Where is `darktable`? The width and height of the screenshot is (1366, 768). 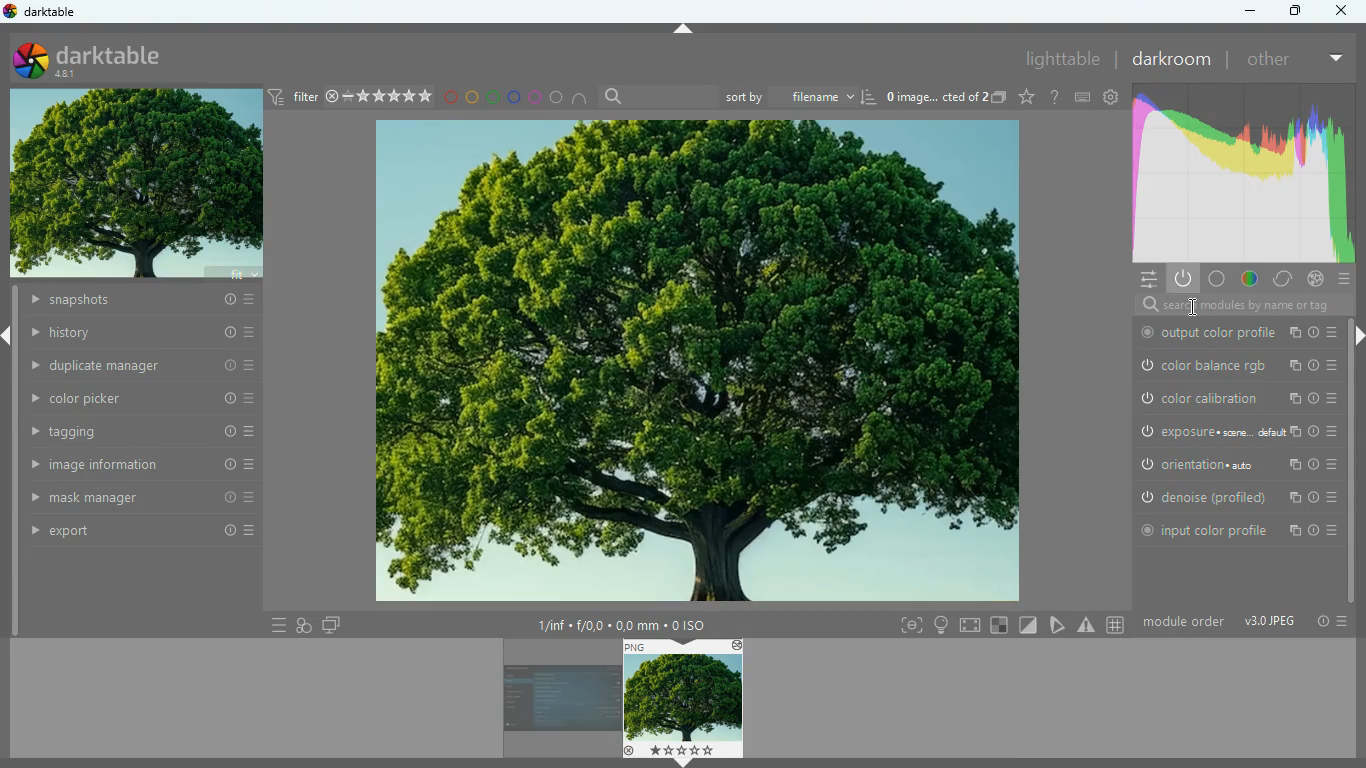
darktable is located at coordinates (116, 57).